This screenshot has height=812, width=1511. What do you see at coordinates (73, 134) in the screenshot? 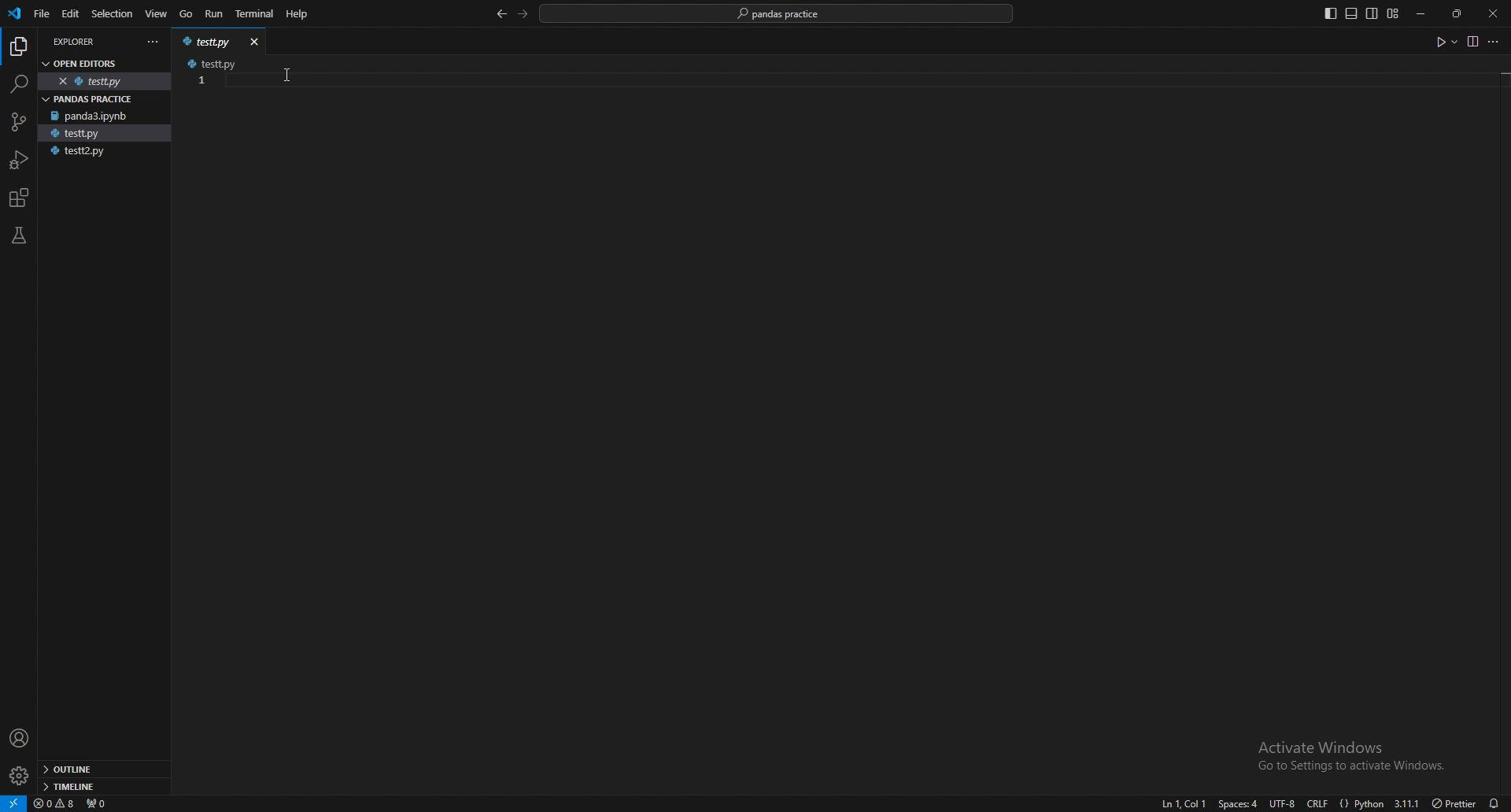
I see `testt.py` at bounding box center [73, 134].